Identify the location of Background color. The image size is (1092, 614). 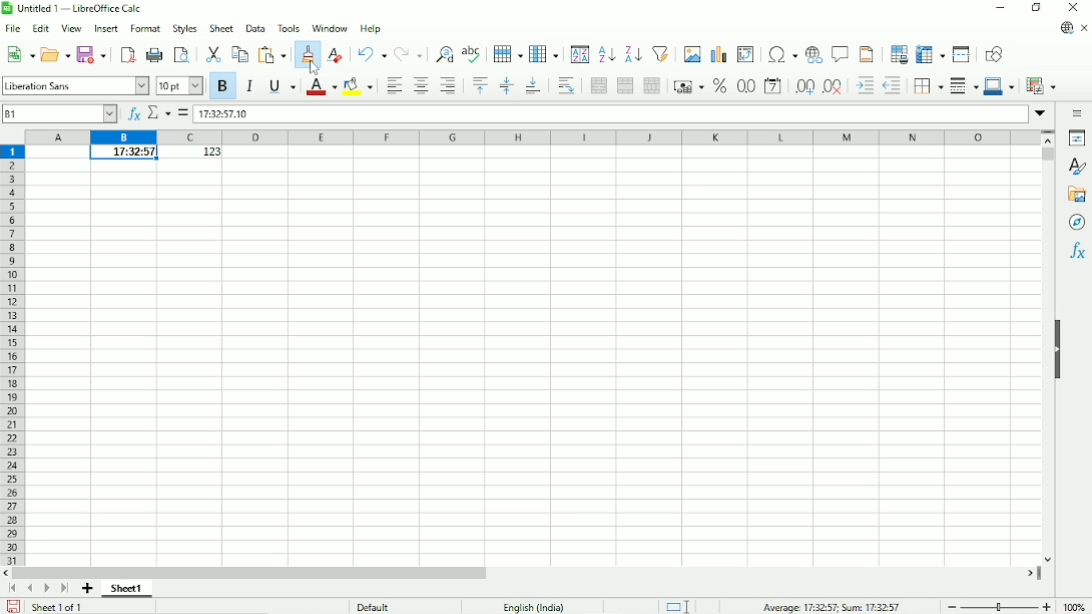
(357, 86).